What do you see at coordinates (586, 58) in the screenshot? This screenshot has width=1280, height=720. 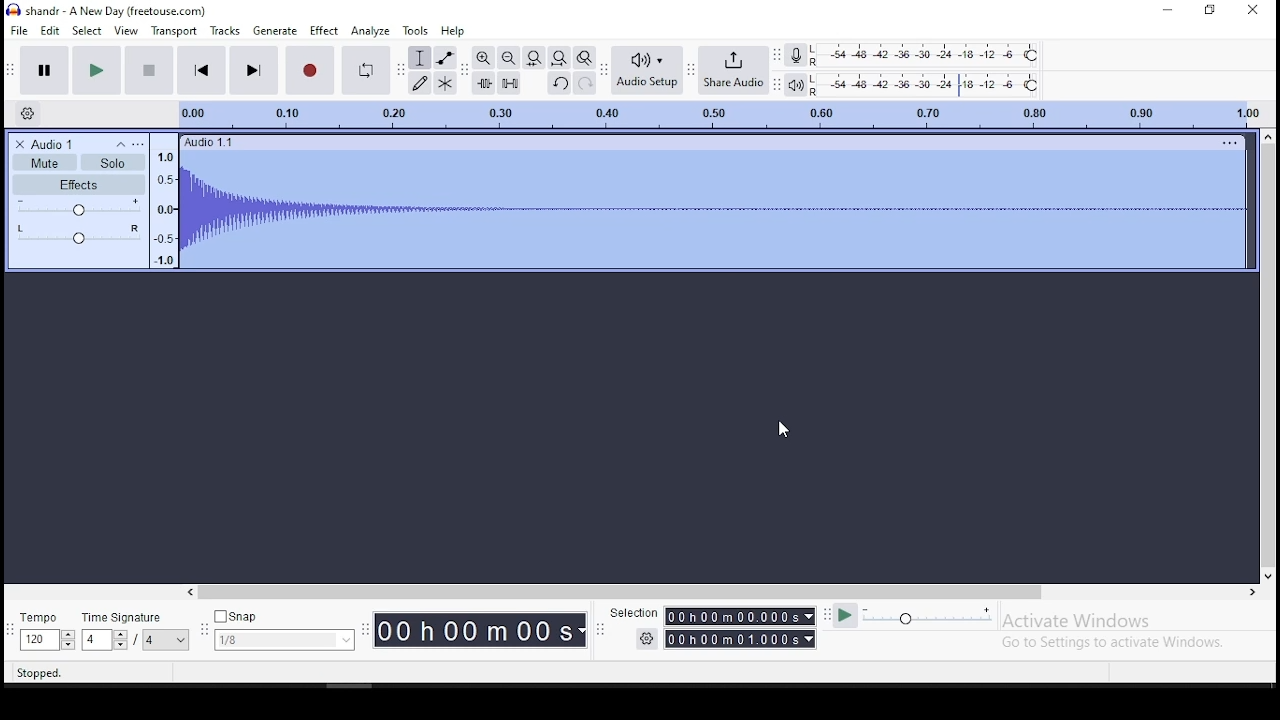 I see `zoom toggle` at bounding box center [586, 58].